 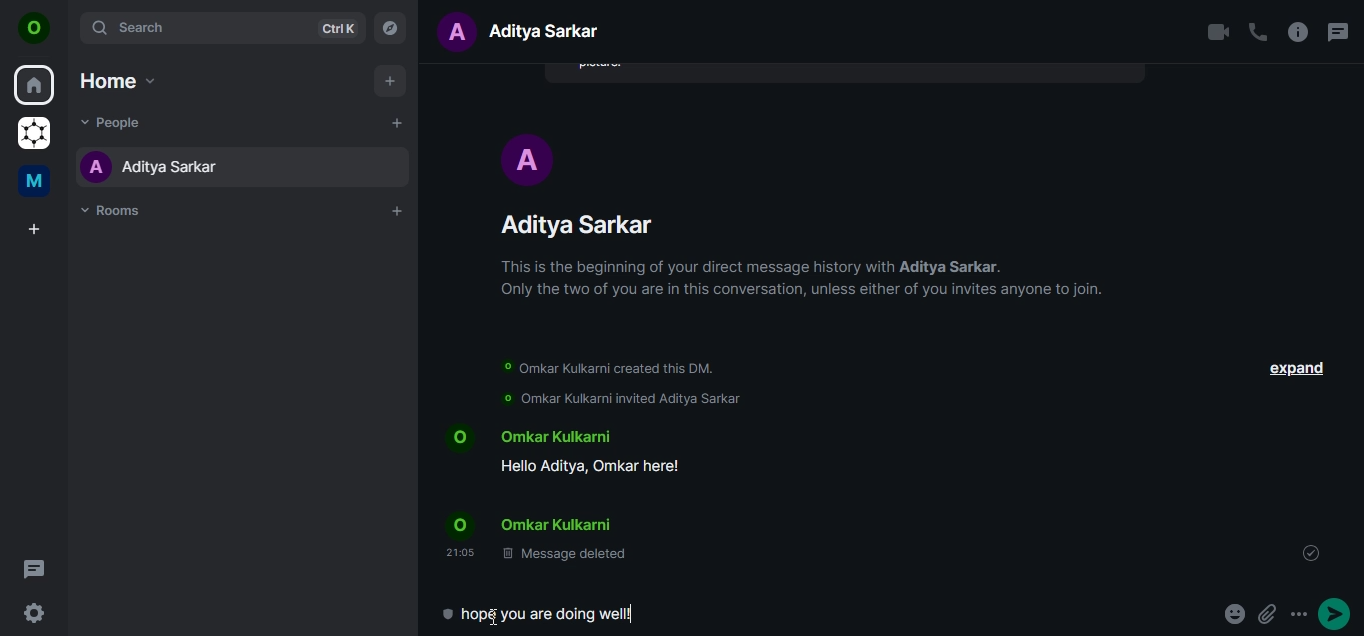 What do you see at coordinates (191, 164) in the screenshot?
I see `name` at bounding box center [191, 164].